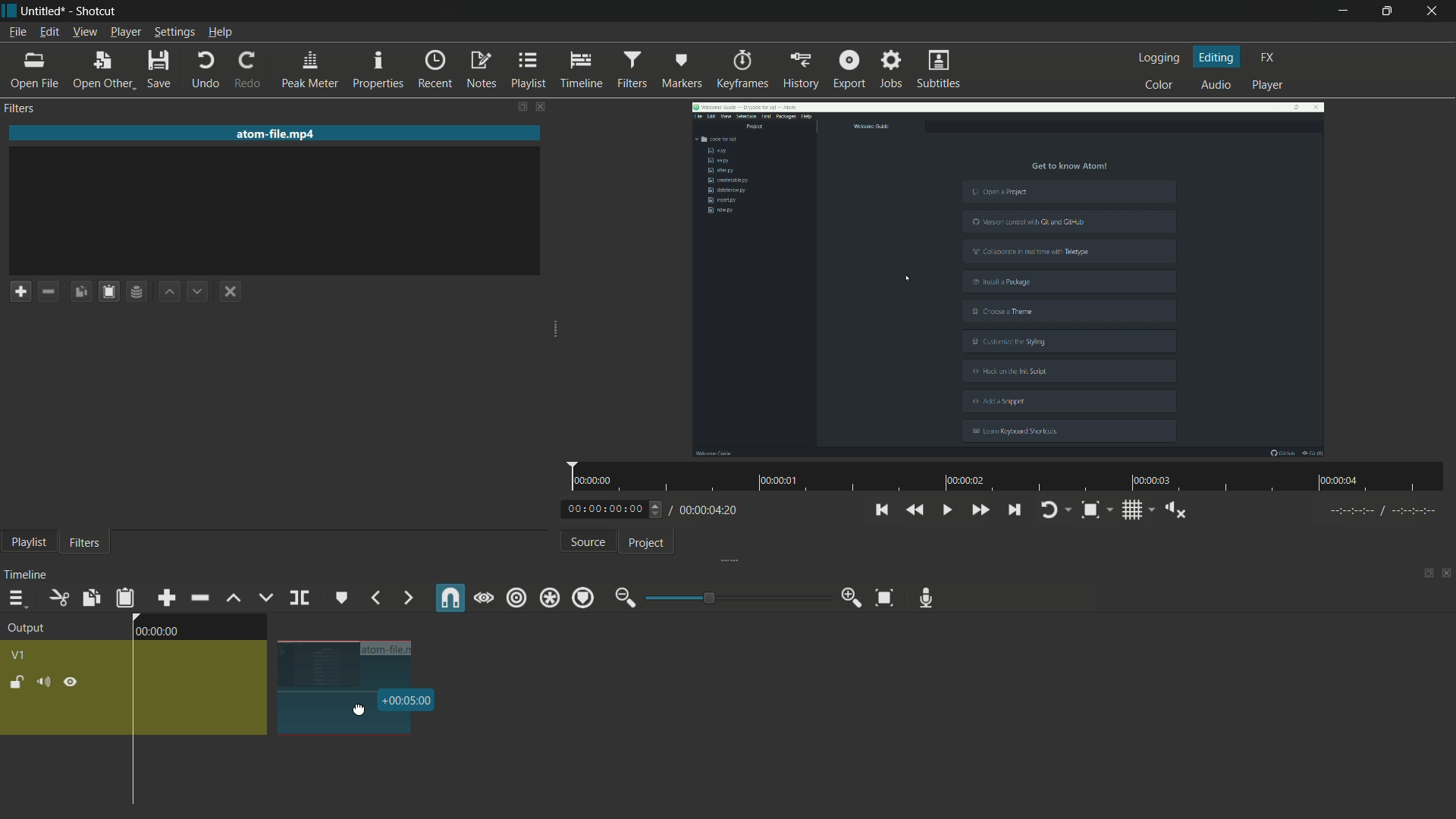 Image resolution: width=1456 pixels, height=819 pixels. What do you see at coordinates (1090, 510) in the screenshot?
I see `toggle zoom` at bounding box center [1090, 510].